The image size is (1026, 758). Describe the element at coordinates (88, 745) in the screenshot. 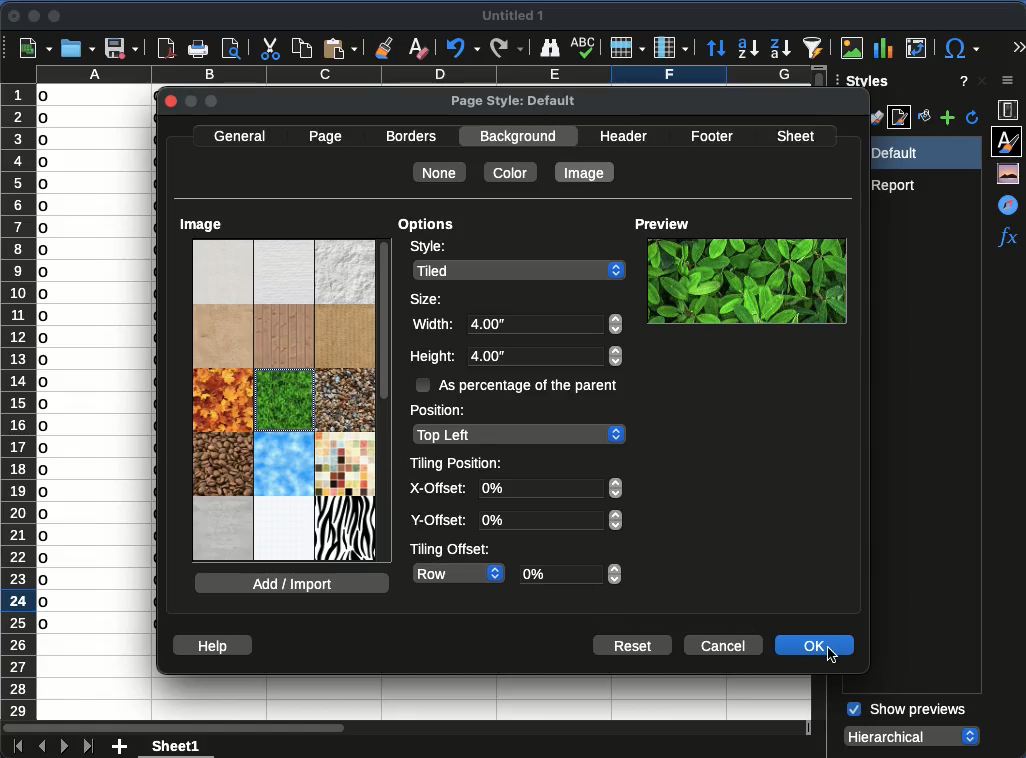

I see `last sheet` at that location.